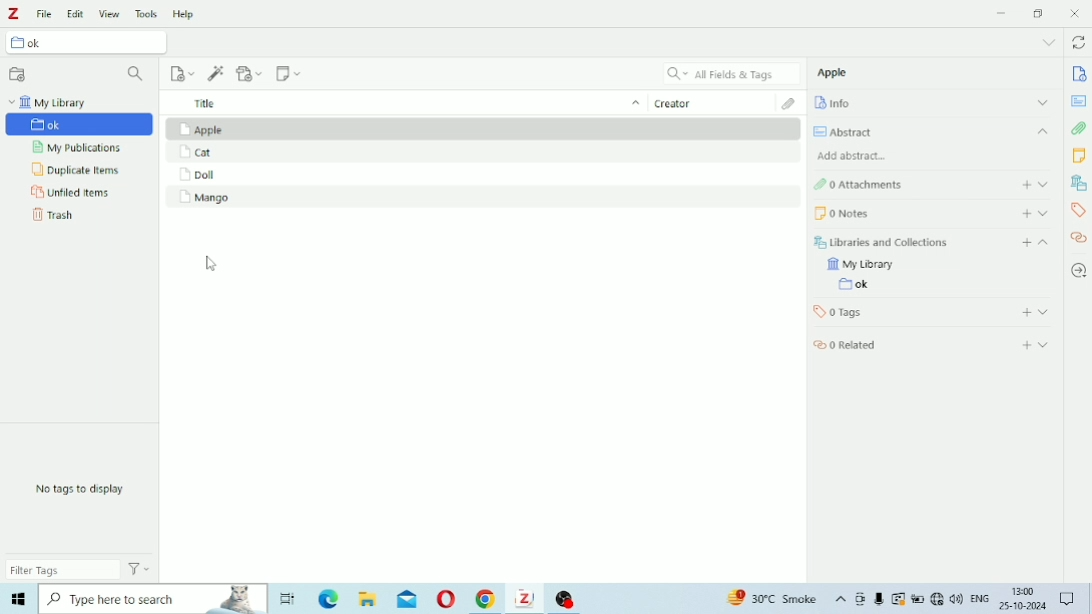 This screenshot has height=614, width=1092. I want to click on , so click(1022, 598).